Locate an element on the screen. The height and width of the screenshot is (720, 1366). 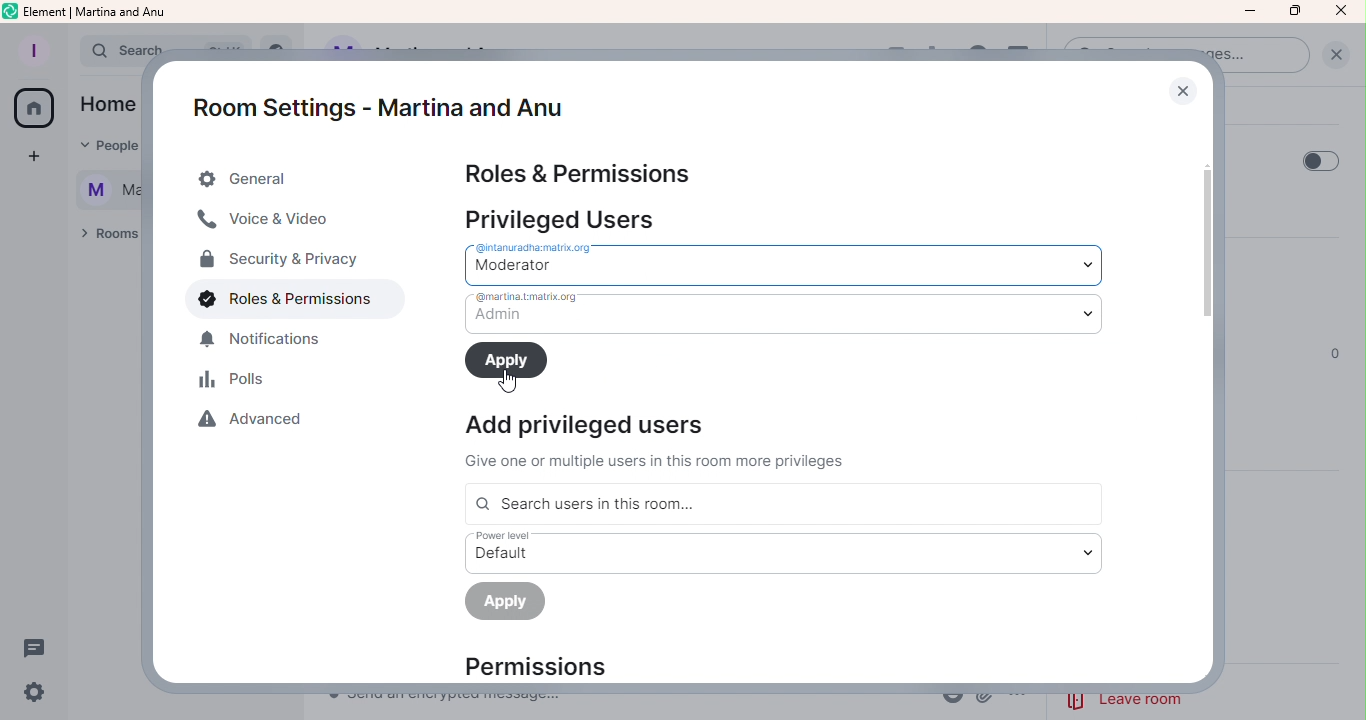
General is located at coordinates (285, 179).